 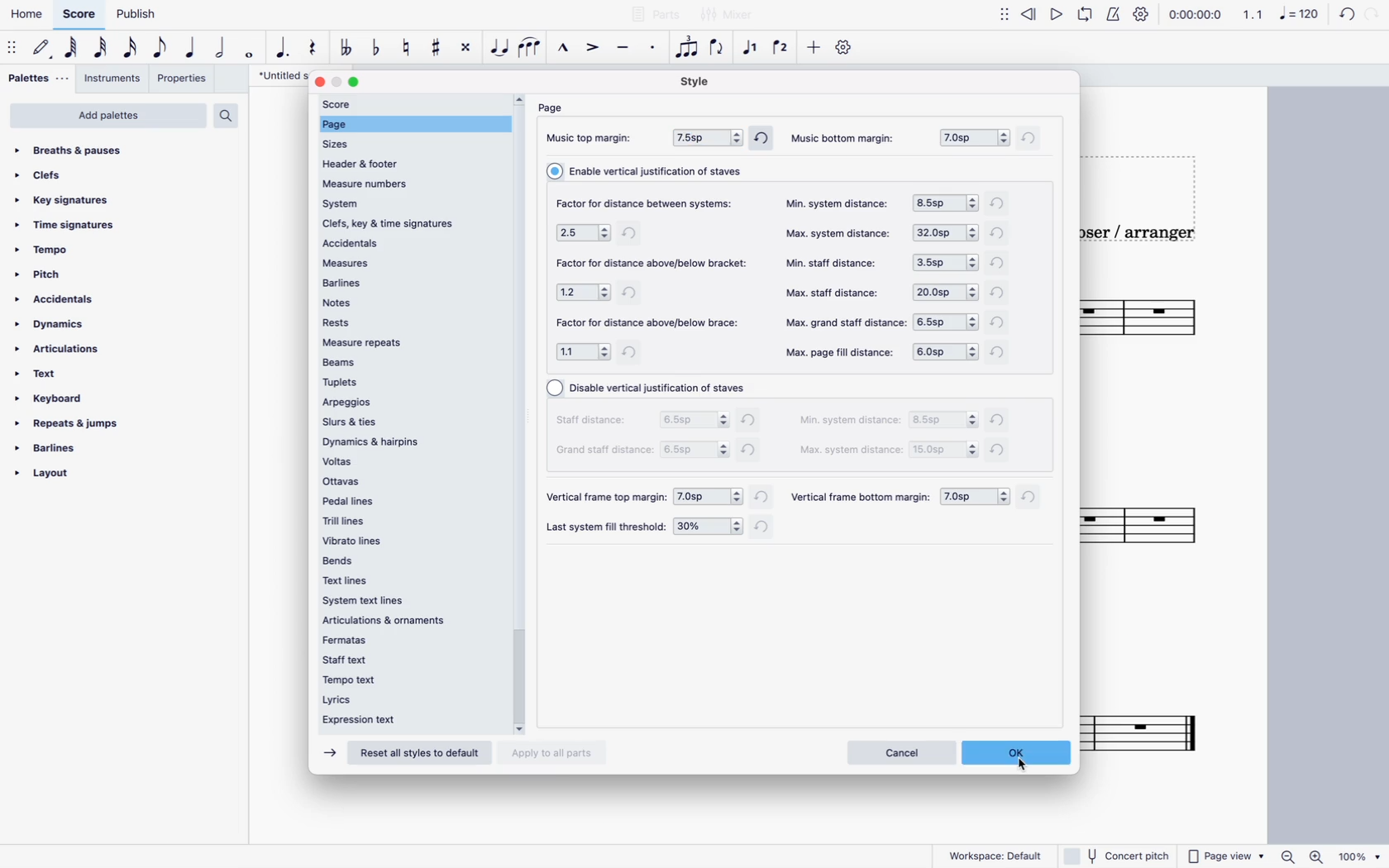 What do you see at coordinates (413, 260) in the screenshot?
I see `measure` at bounding box center [413, 260].